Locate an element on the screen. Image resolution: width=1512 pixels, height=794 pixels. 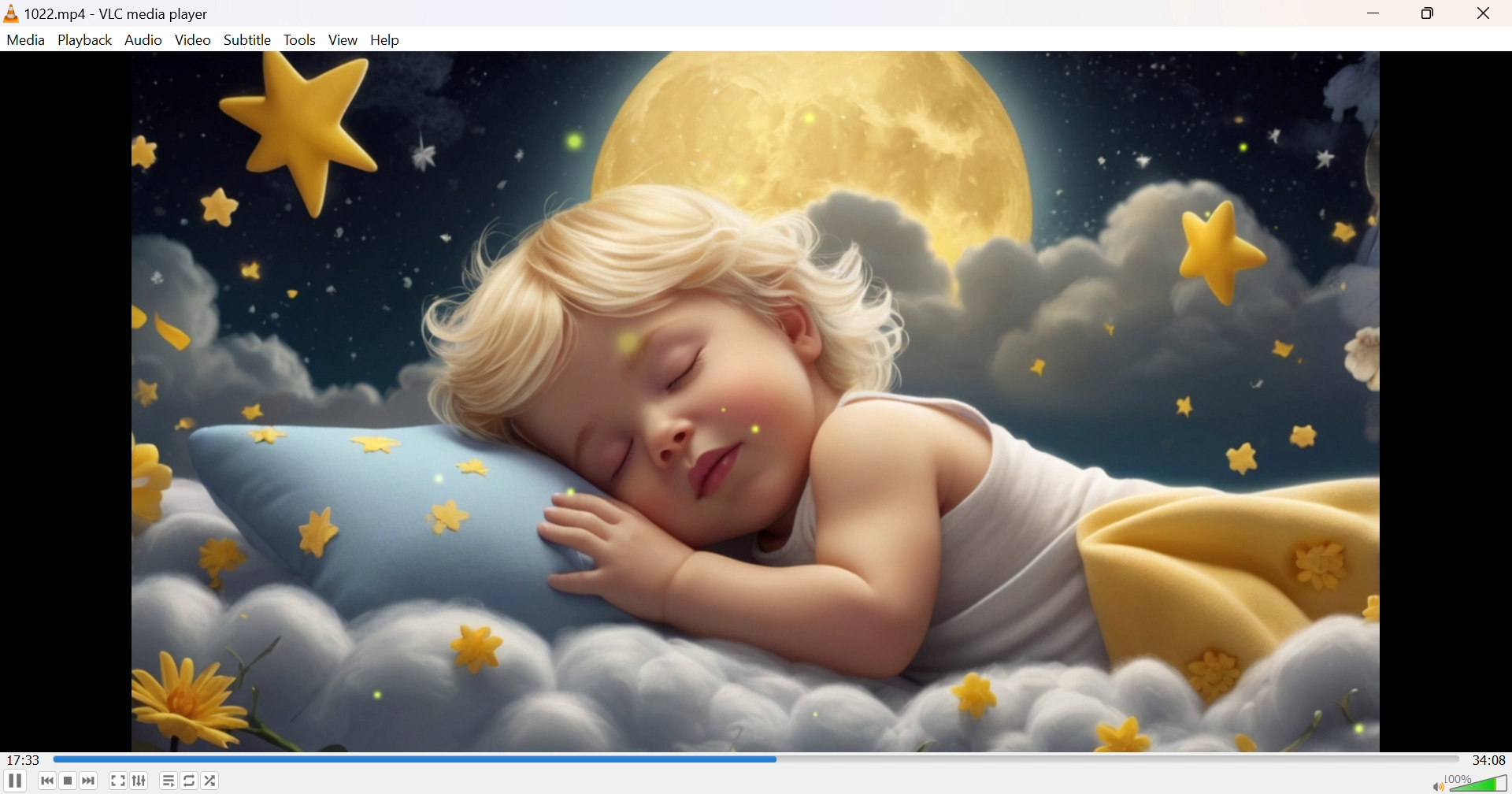
Random is located at coordinates (211, 779).